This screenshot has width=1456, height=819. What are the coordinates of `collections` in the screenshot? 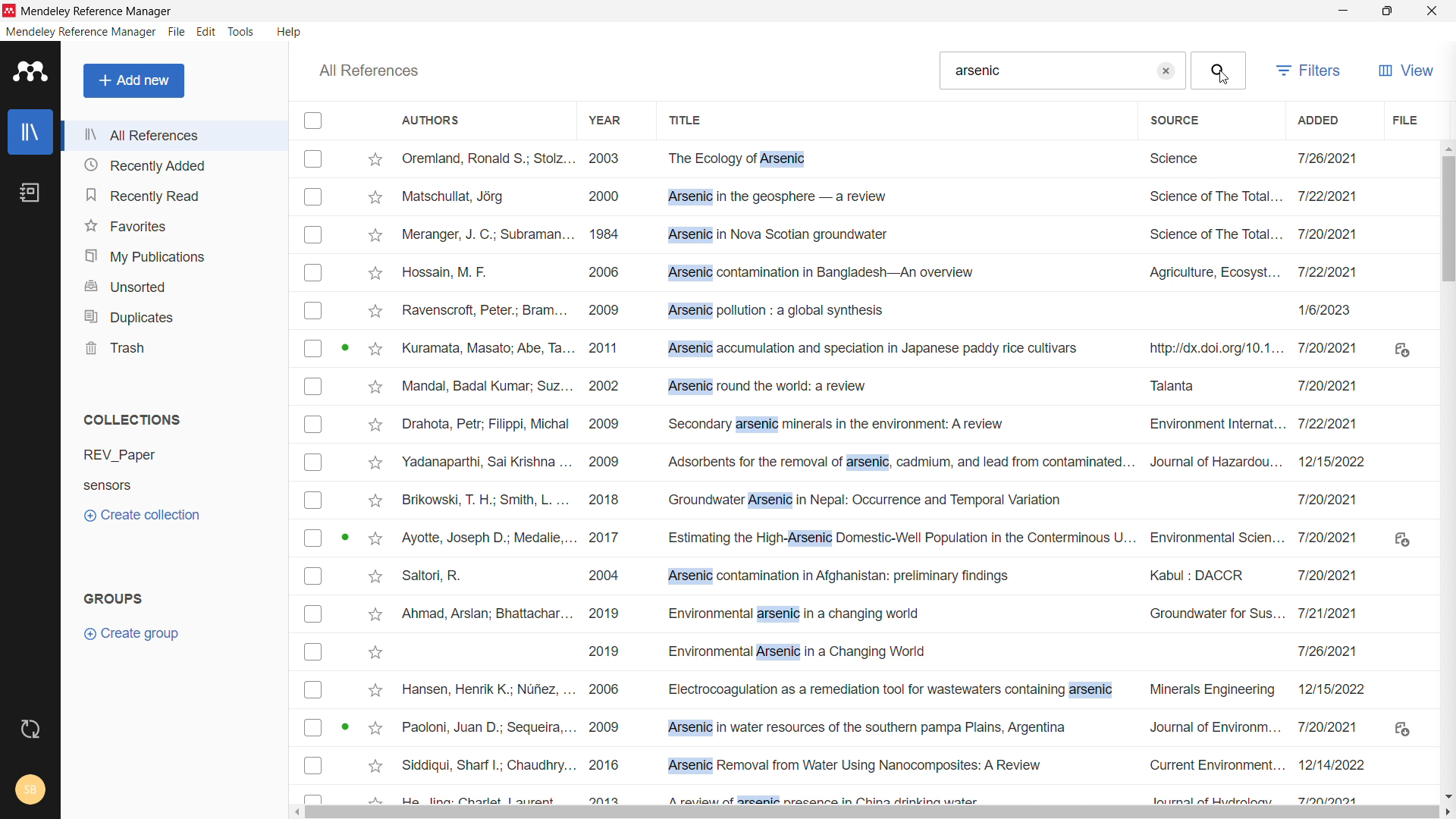 It's located at (132, 419).